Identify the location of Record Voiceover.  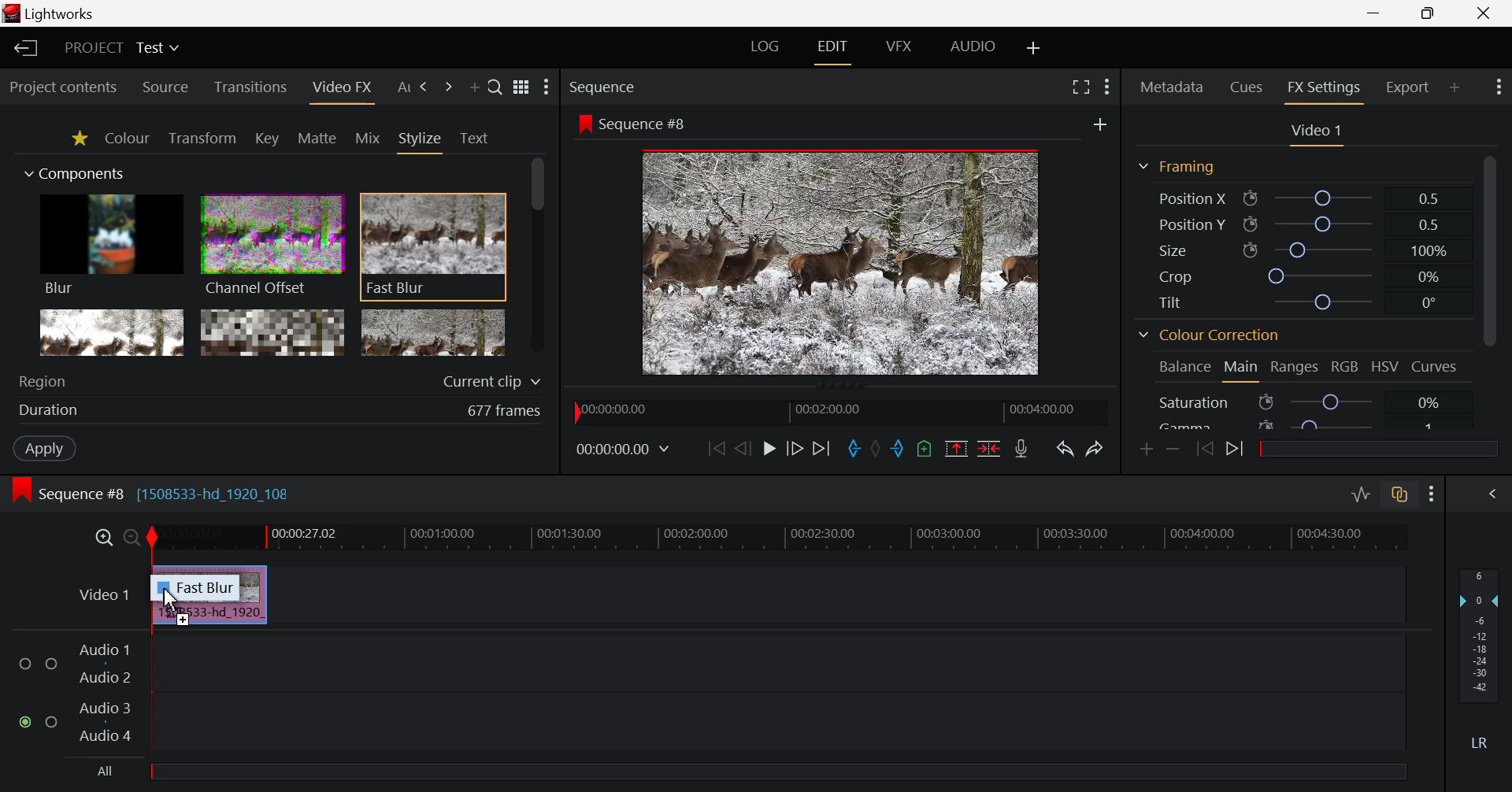
(1021, 451).